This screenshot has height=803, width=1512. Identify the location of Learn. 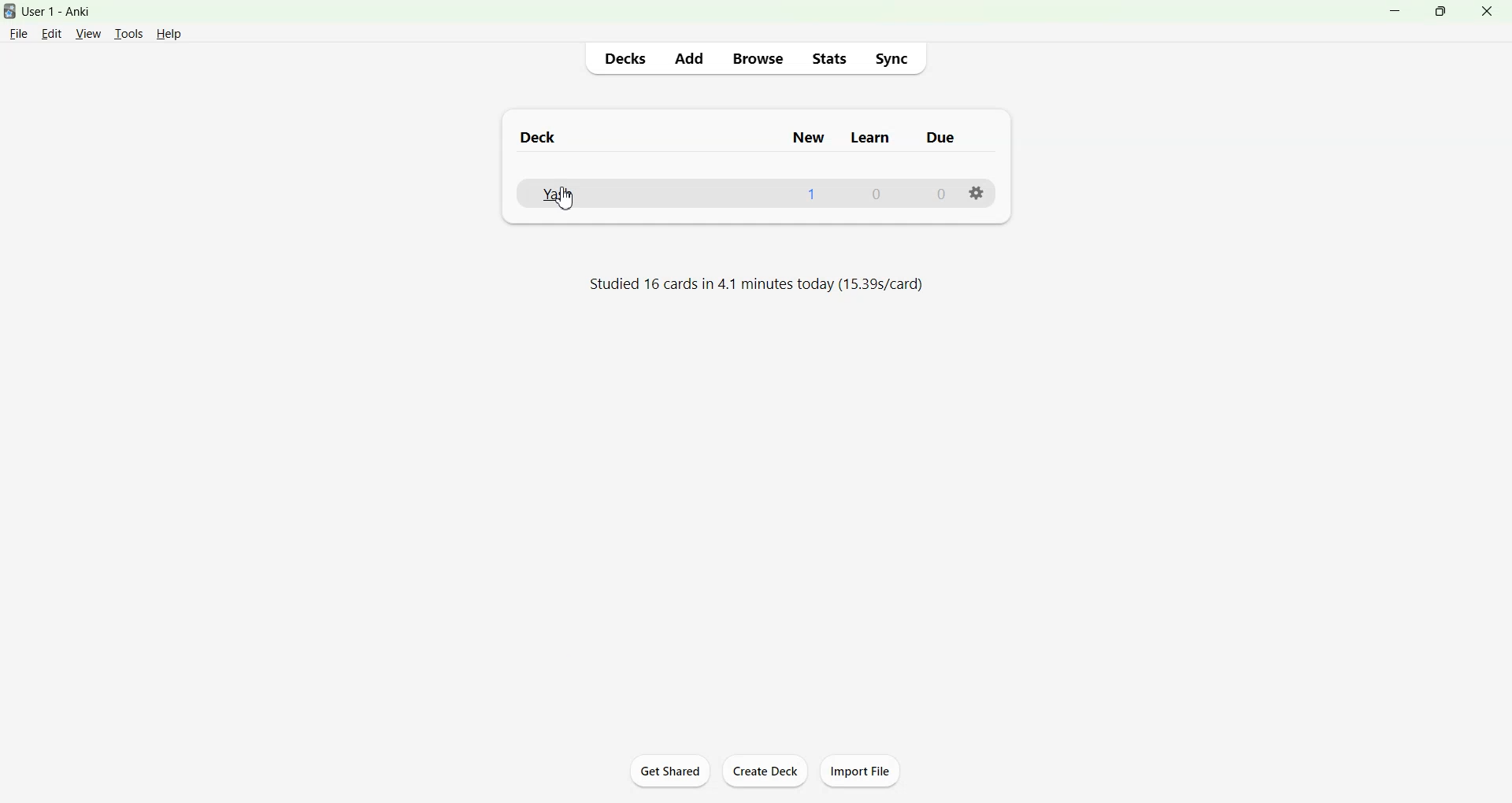
(870, 140).